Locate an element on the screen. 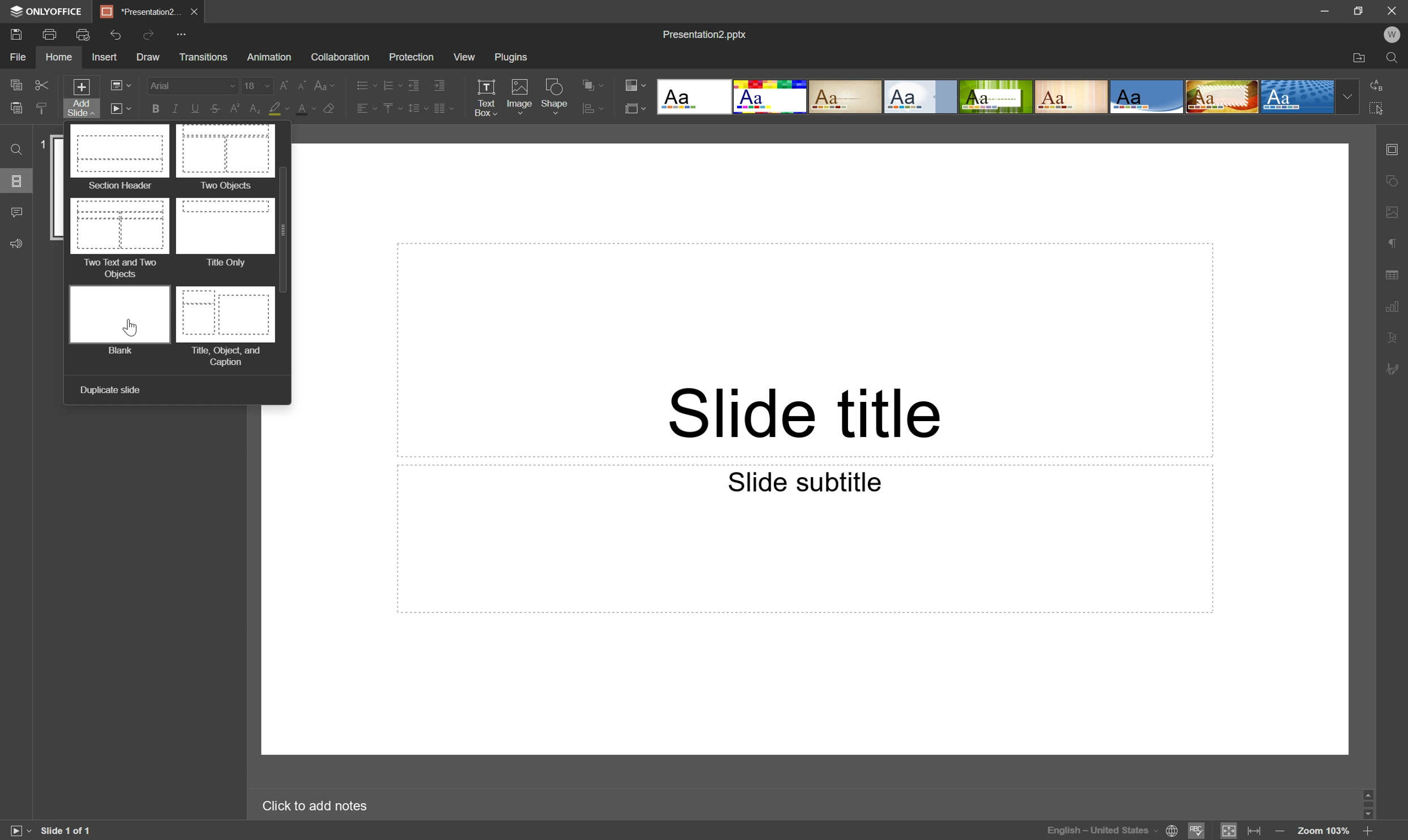 This screenshot has height=840, width=1408. Paste style is located at coordinates (41, 109).